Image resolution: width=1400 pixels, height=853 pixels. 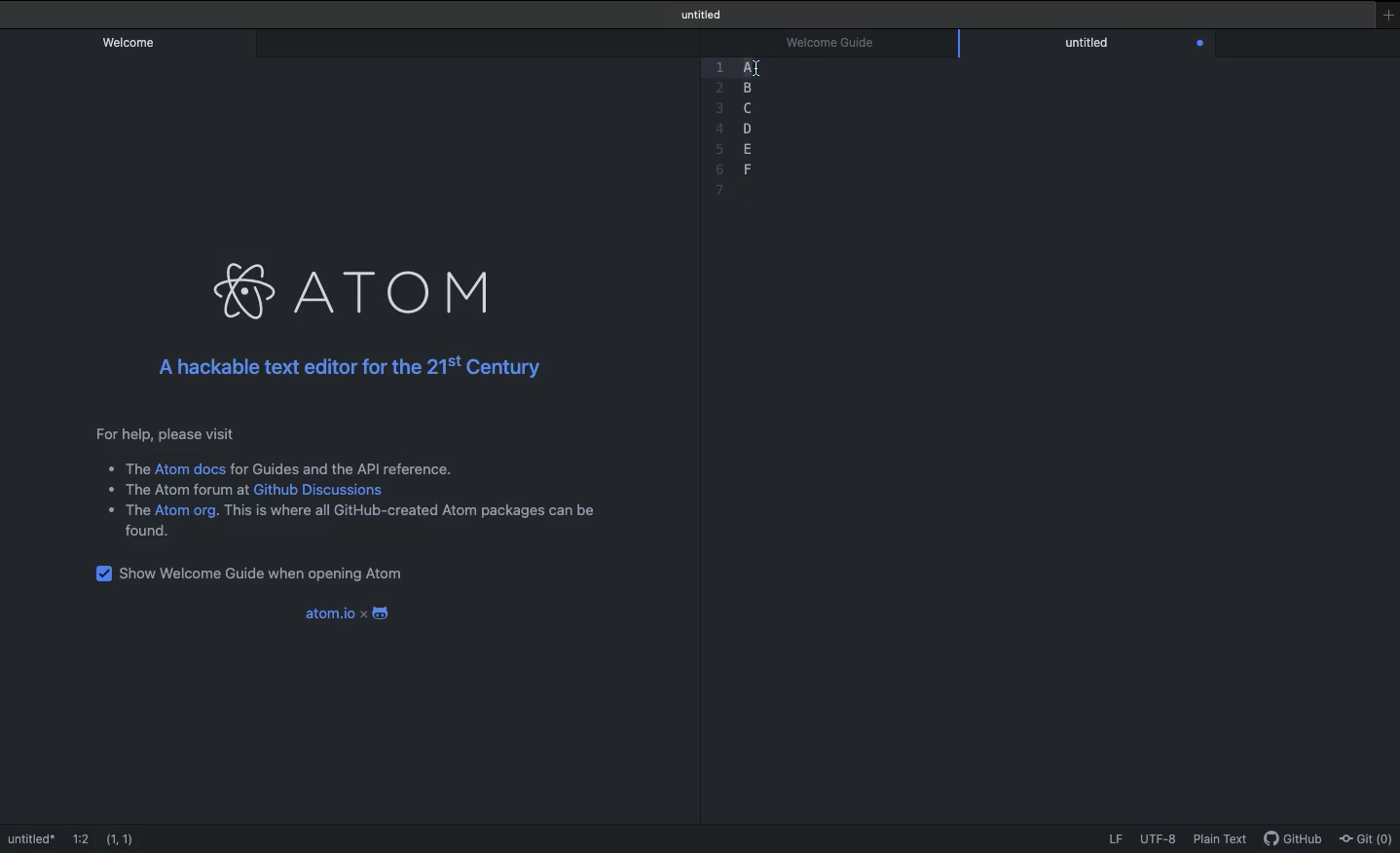 What do you see at coordinates (748, 167) in the screenshot?
I see `f` at bounding box center [748, 167].